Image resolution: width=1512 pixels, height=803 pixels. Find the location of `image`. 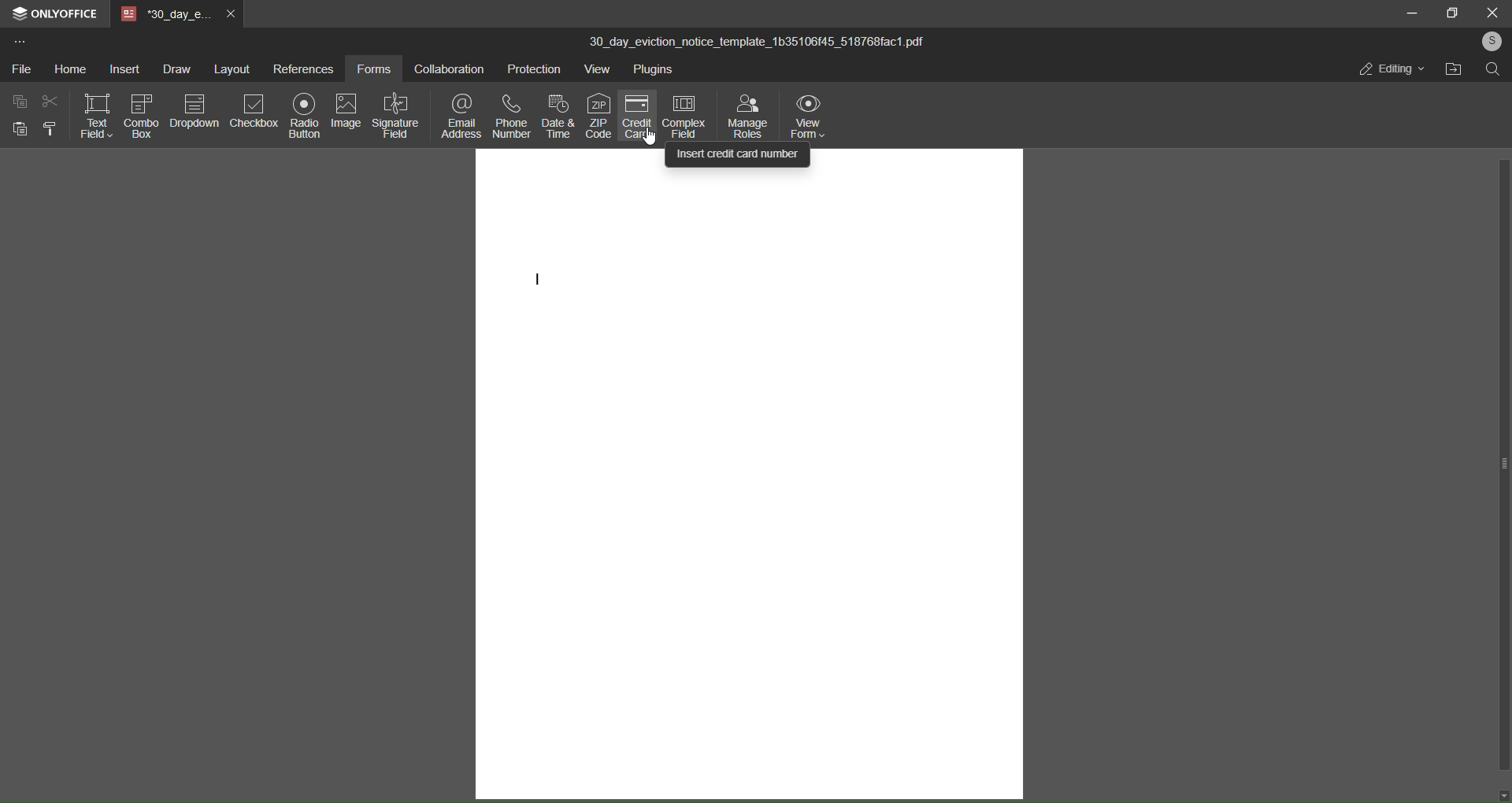

image is located at coordinates (346, 109).